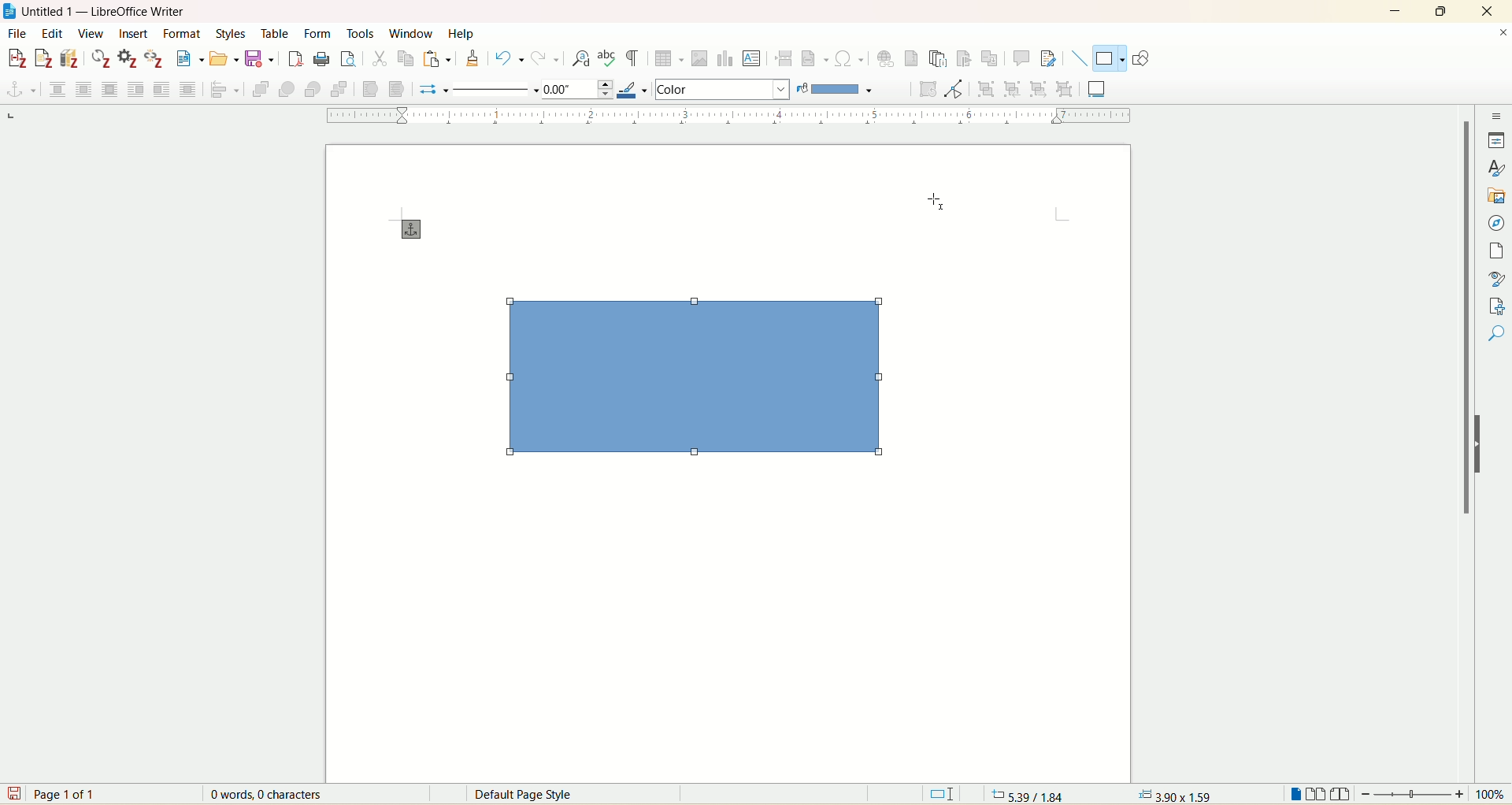 The image size is (1512, 805). Describe the element at coordinates (752, 57) in the screenshot. I see `insert text box` at that location.